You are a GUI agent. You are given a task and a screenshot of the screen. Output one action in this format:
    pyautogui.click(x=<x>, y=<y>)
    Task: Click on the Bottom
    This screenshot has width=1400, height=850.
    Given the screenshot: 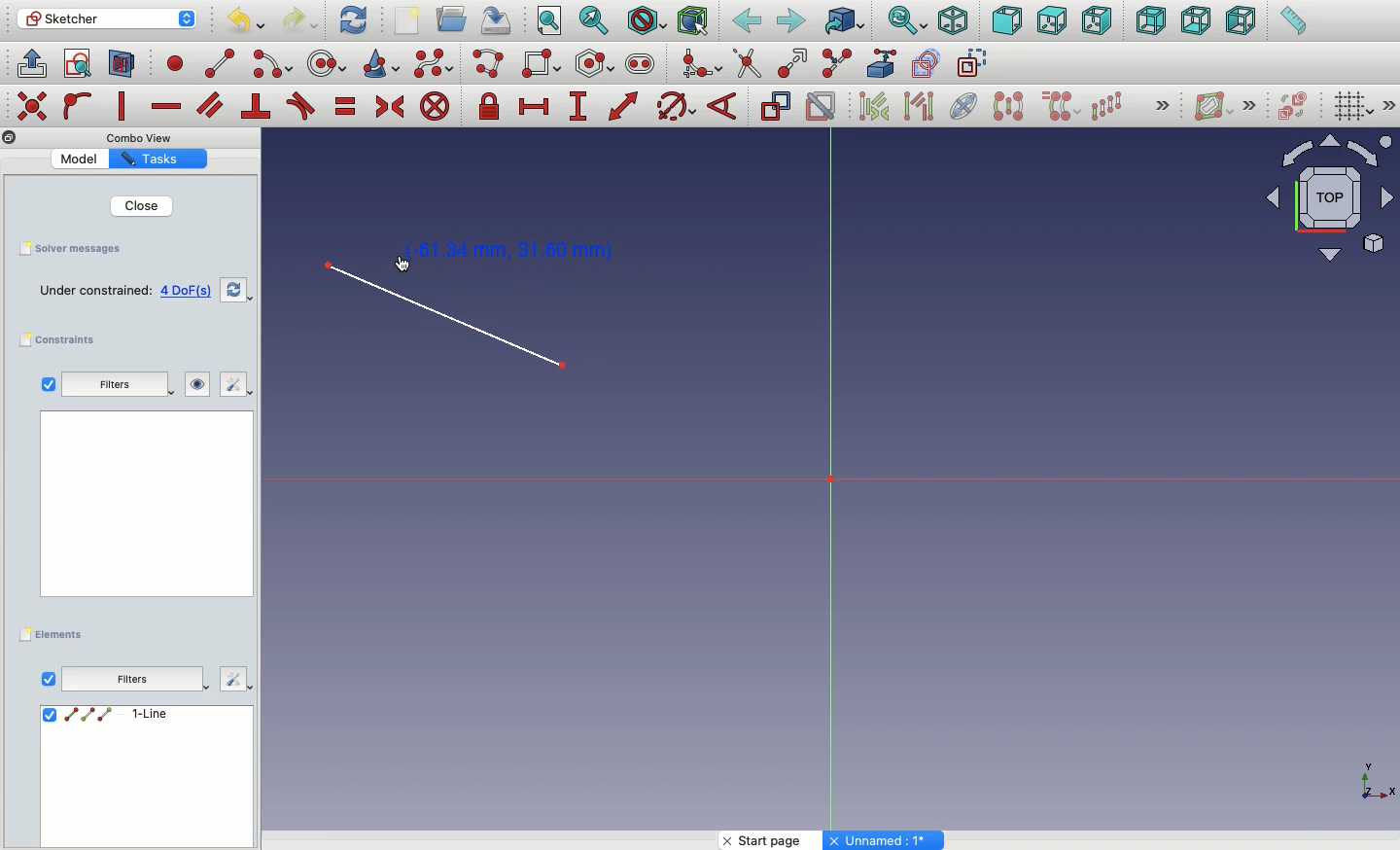 What is the action you would take?
    pyautogui.click(x=1196, y=22)
    